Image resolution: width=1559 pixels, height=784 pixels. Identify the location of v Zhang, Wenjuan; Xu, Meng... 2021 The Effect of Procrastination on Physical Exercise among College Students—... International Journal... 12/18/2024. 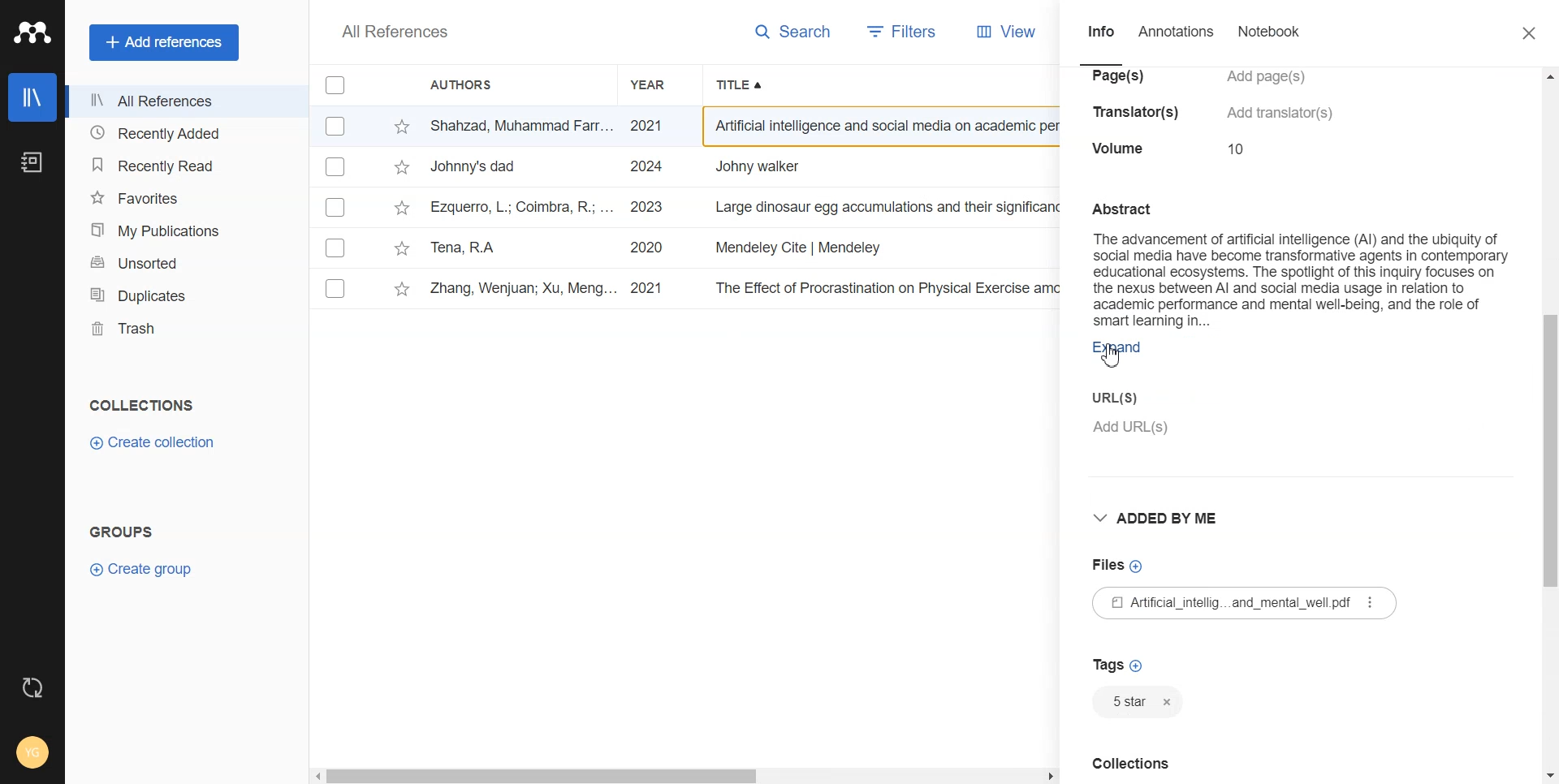
(748, 291).